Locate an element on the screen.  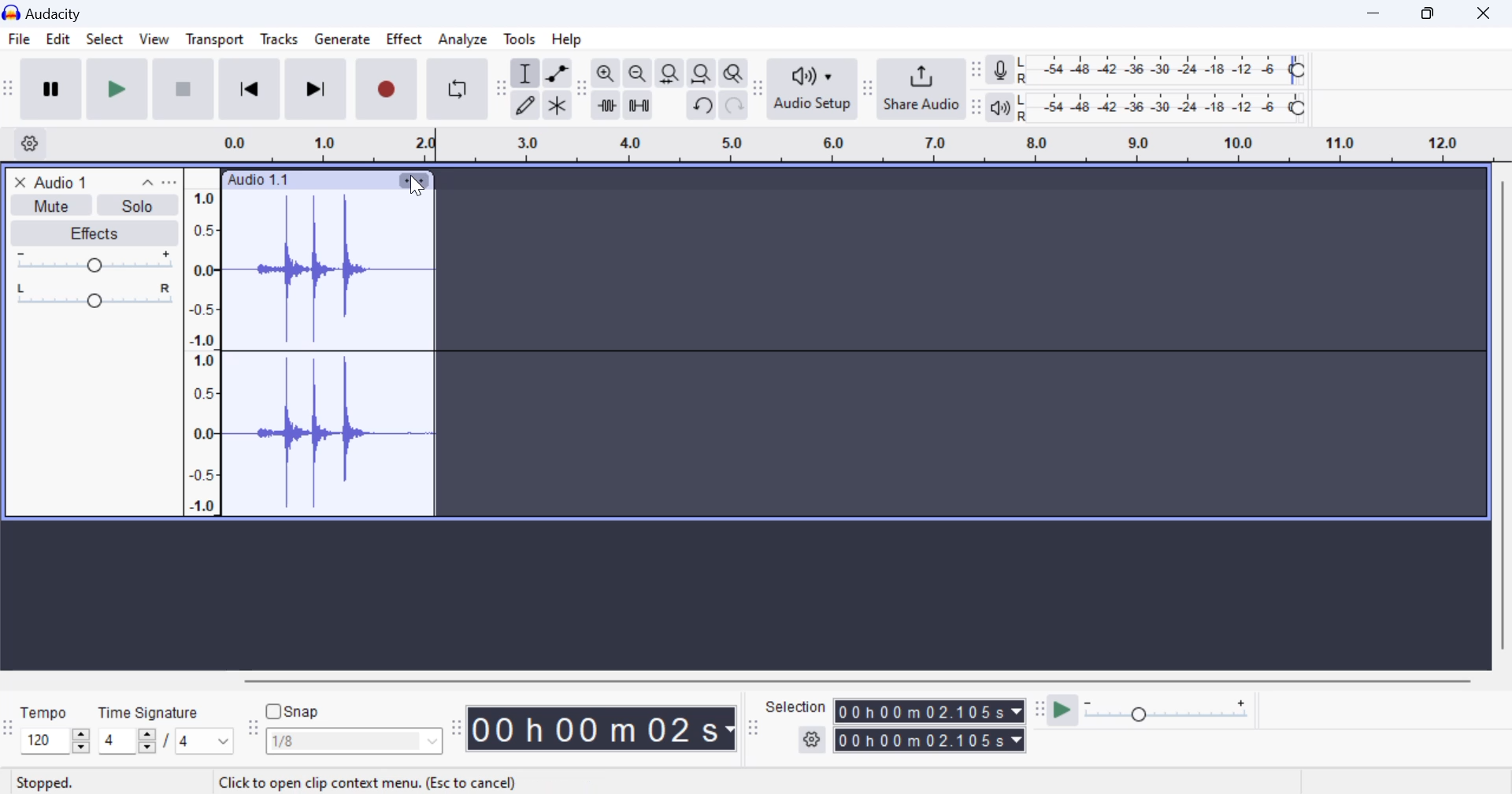
Effect is located at coordinates (405, 42).